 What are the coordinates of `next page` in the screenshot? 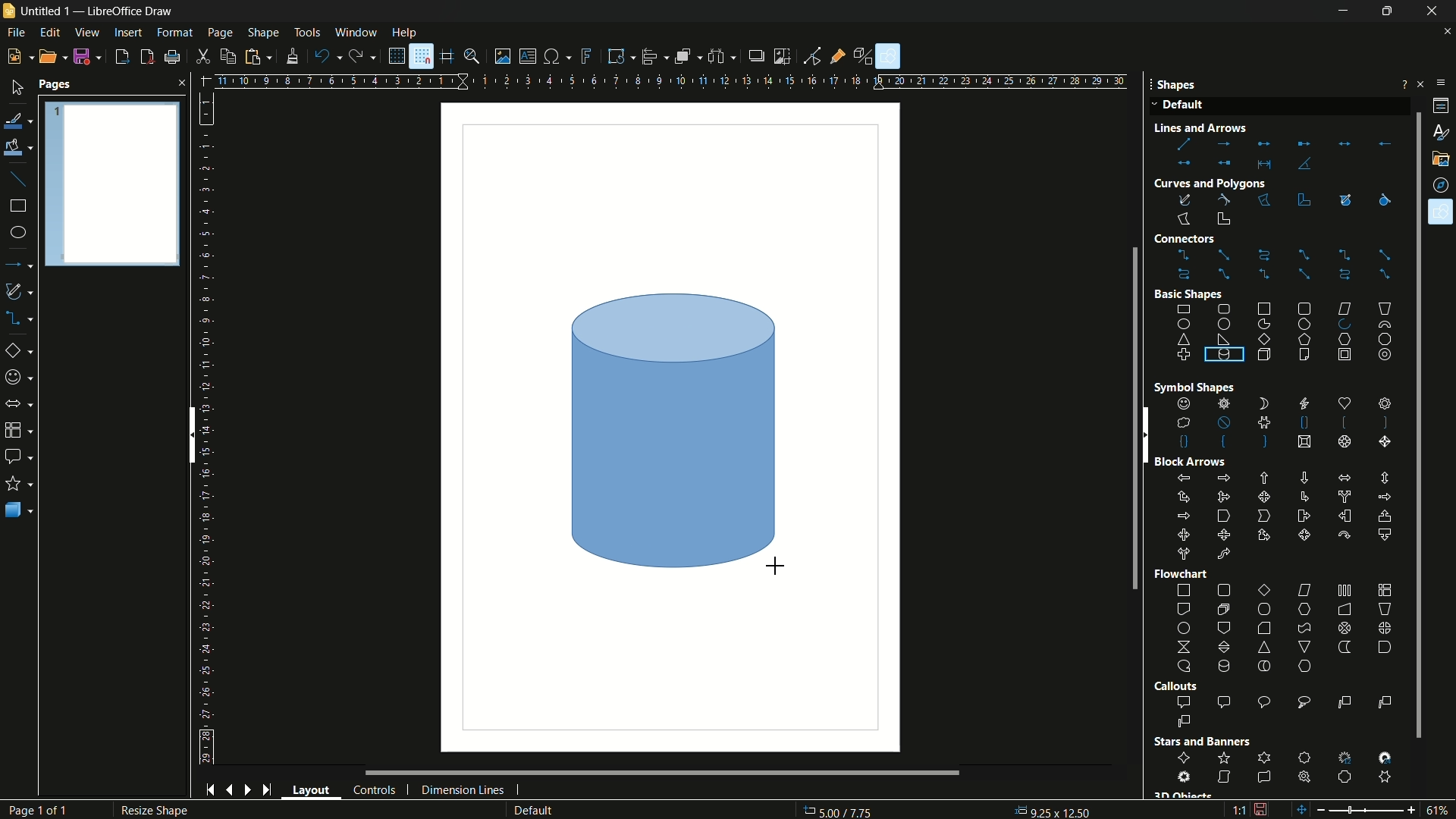 It's located at (248, 790).